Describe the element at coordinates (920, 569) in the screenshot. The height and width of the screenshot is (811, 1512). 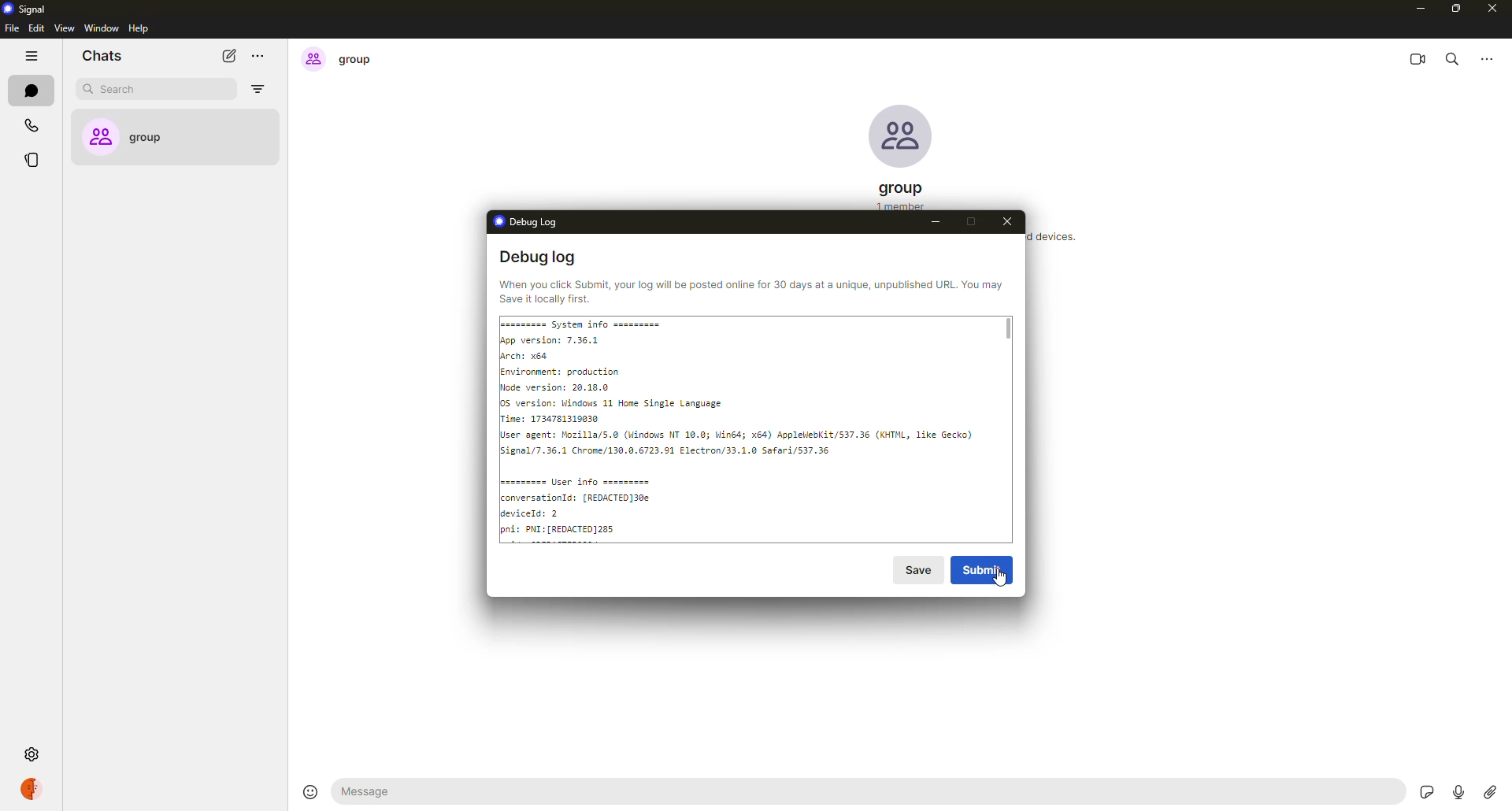
I see `save` at that location.